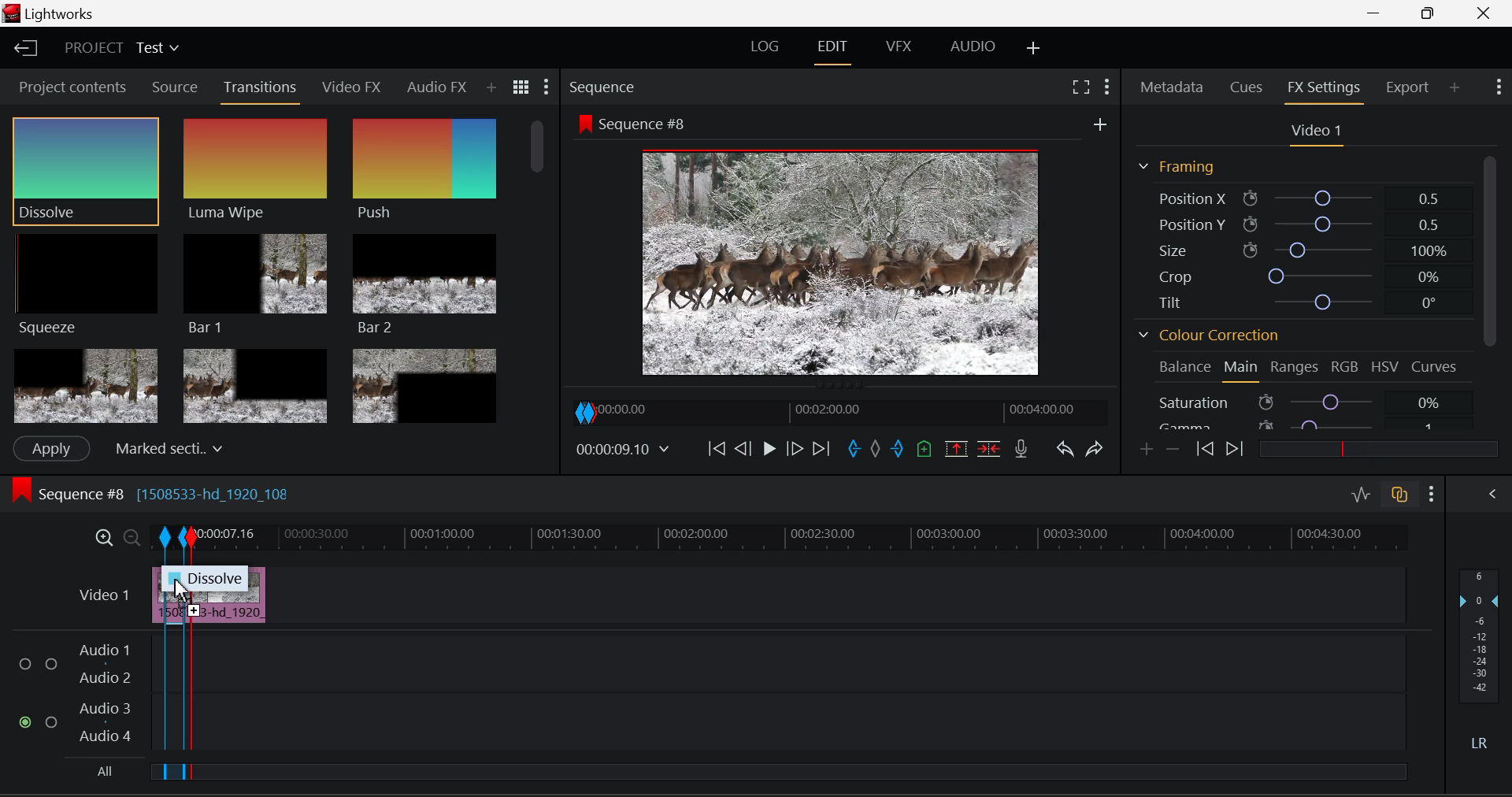 Image resolution: width=1512 pixels, height=797 pixels. I want to click on Metadata, so click(1172, 88).